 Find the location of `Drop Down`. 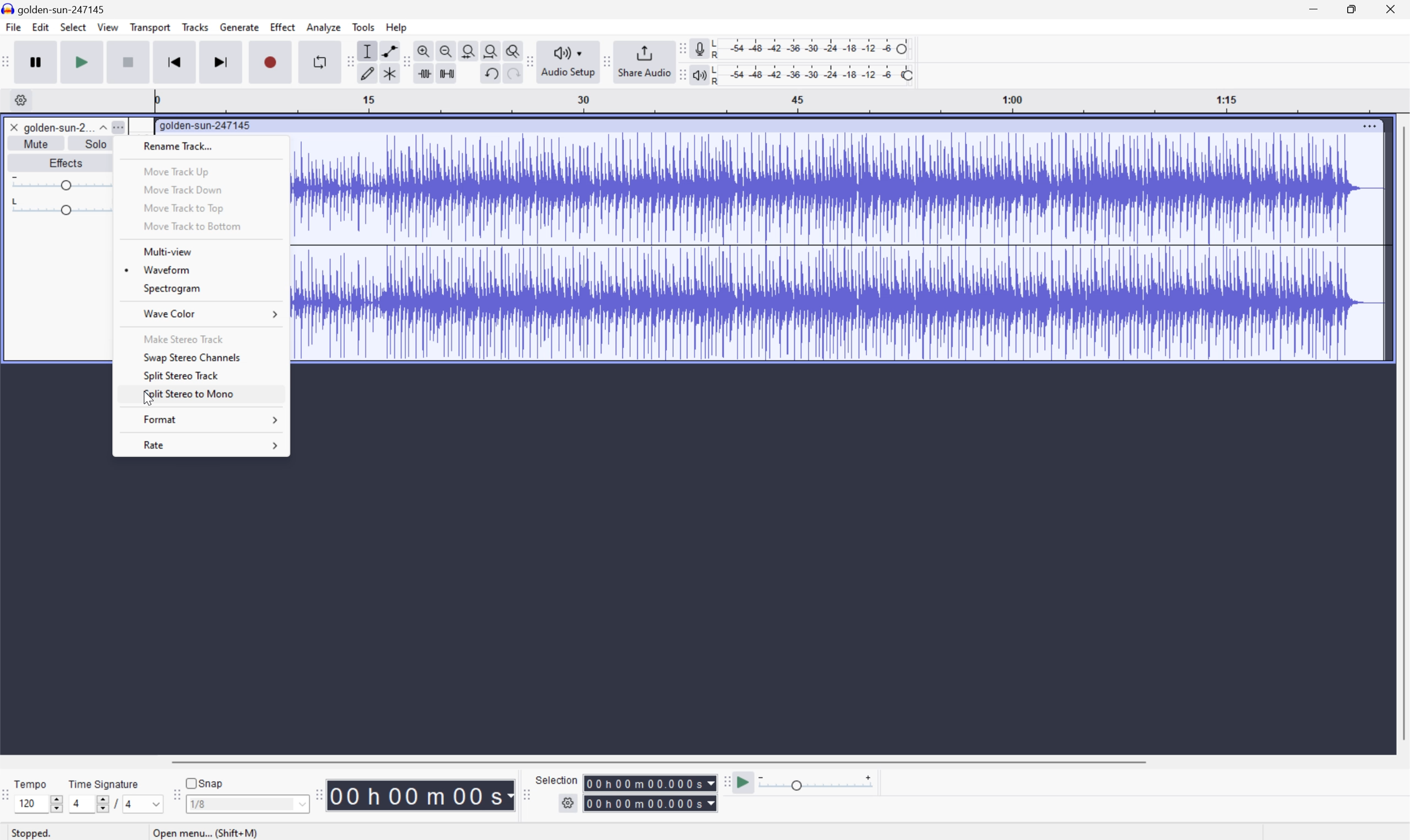

Drop Down is located at coordinates (275, 446).